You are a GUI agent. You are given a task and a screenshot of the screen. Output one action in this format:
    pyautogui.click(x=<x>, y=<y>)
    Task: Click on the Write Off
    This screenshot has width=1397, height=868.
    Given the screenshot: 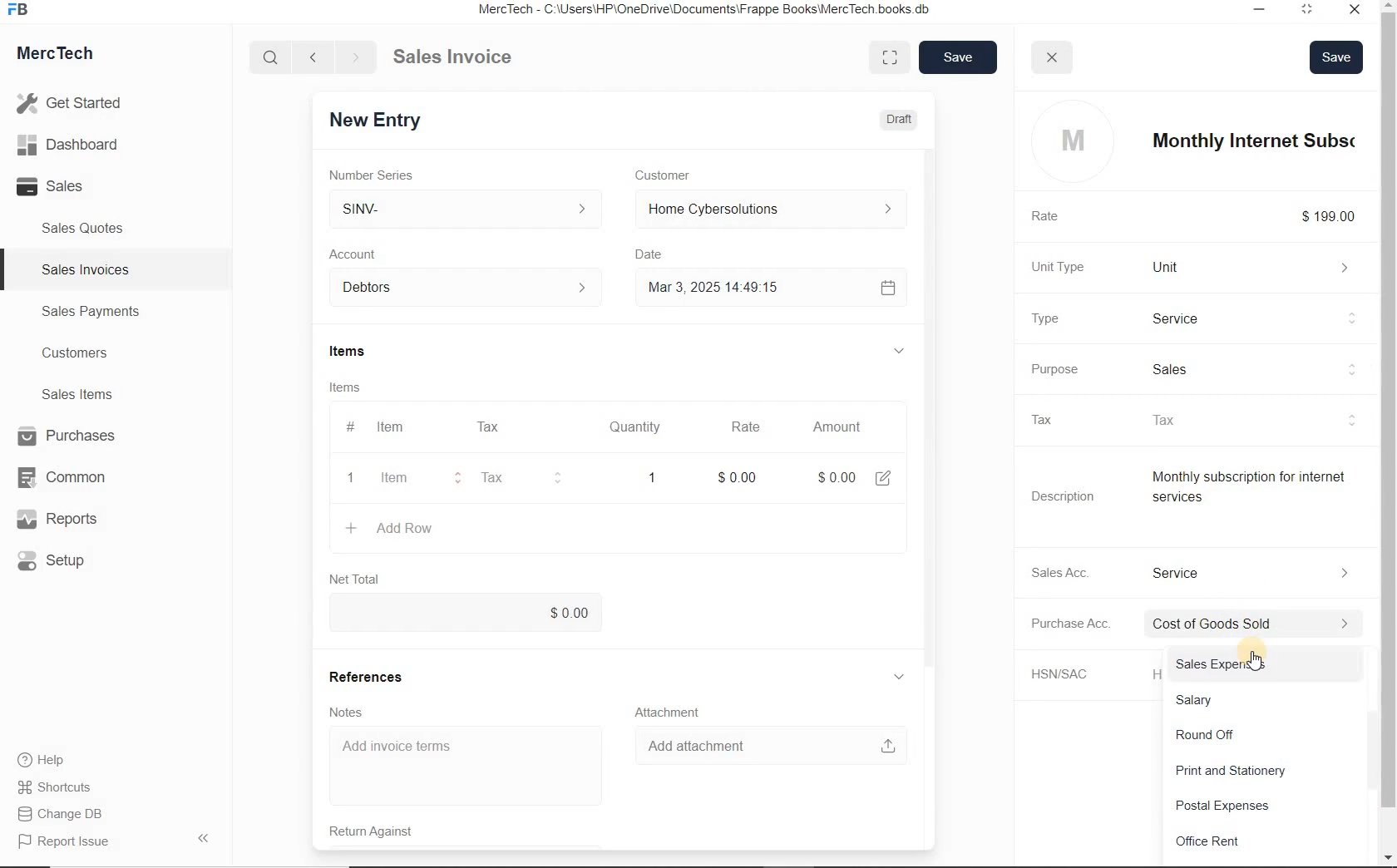 What is the action you would take?
    pyautogui.click(x=1259, y=735)
    